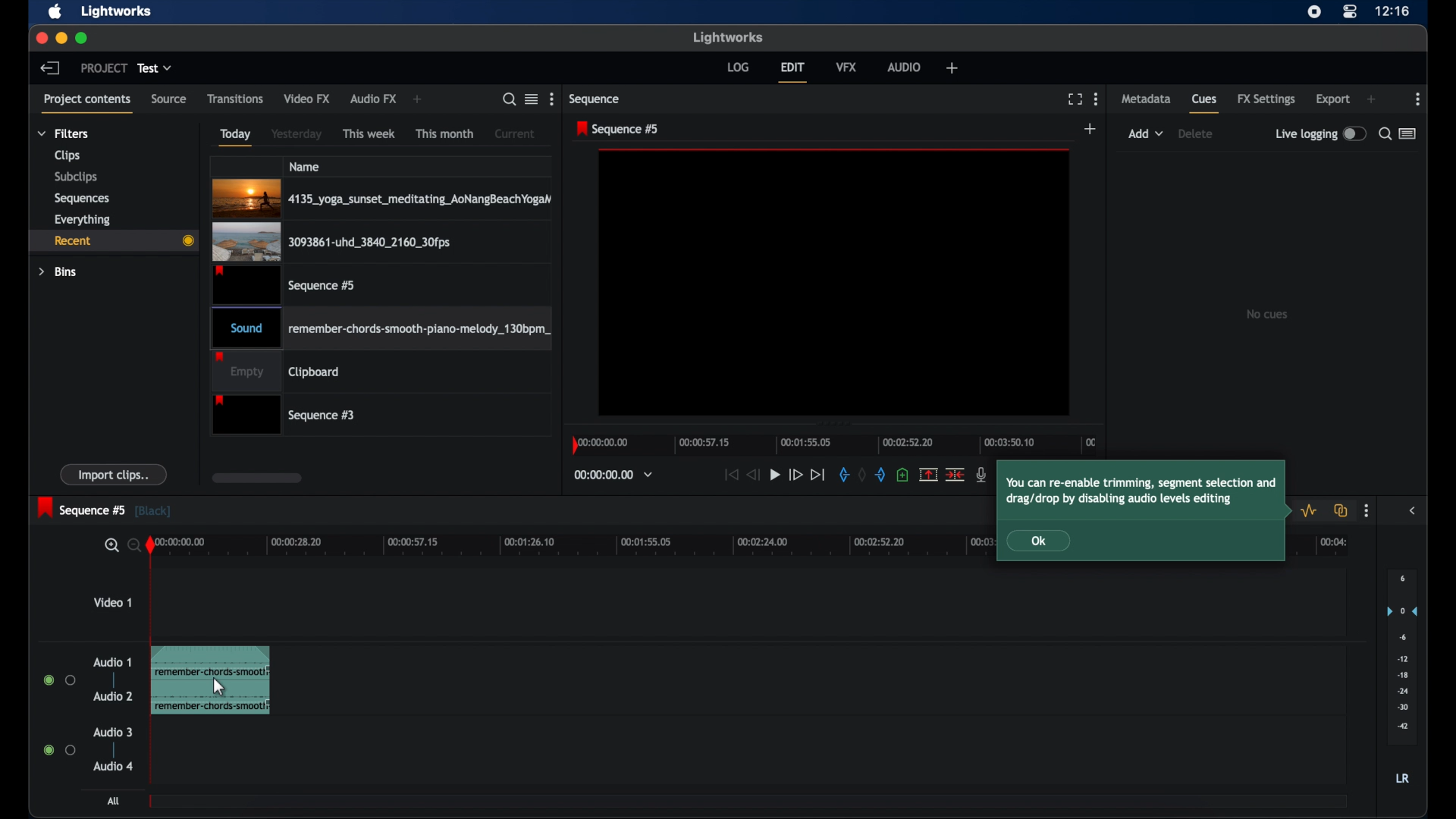 The height and width of the screenshot is (819, 1456). What do you see at coordinates (619, 128) in the screenshot?
I see `sequence 5` at bounding box center [619, 128].